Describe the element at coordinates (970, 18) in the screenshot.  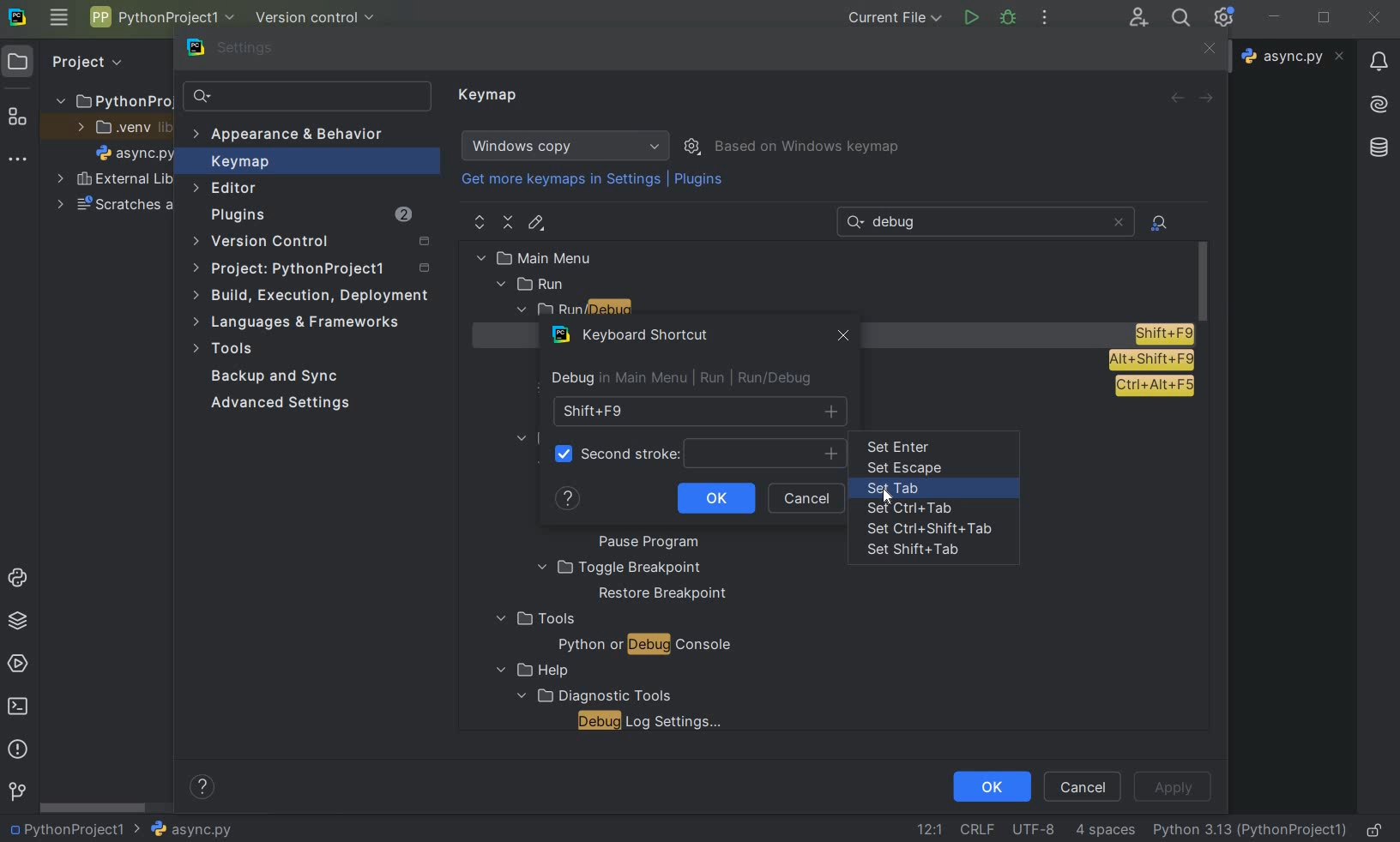
I see `run` at that location.